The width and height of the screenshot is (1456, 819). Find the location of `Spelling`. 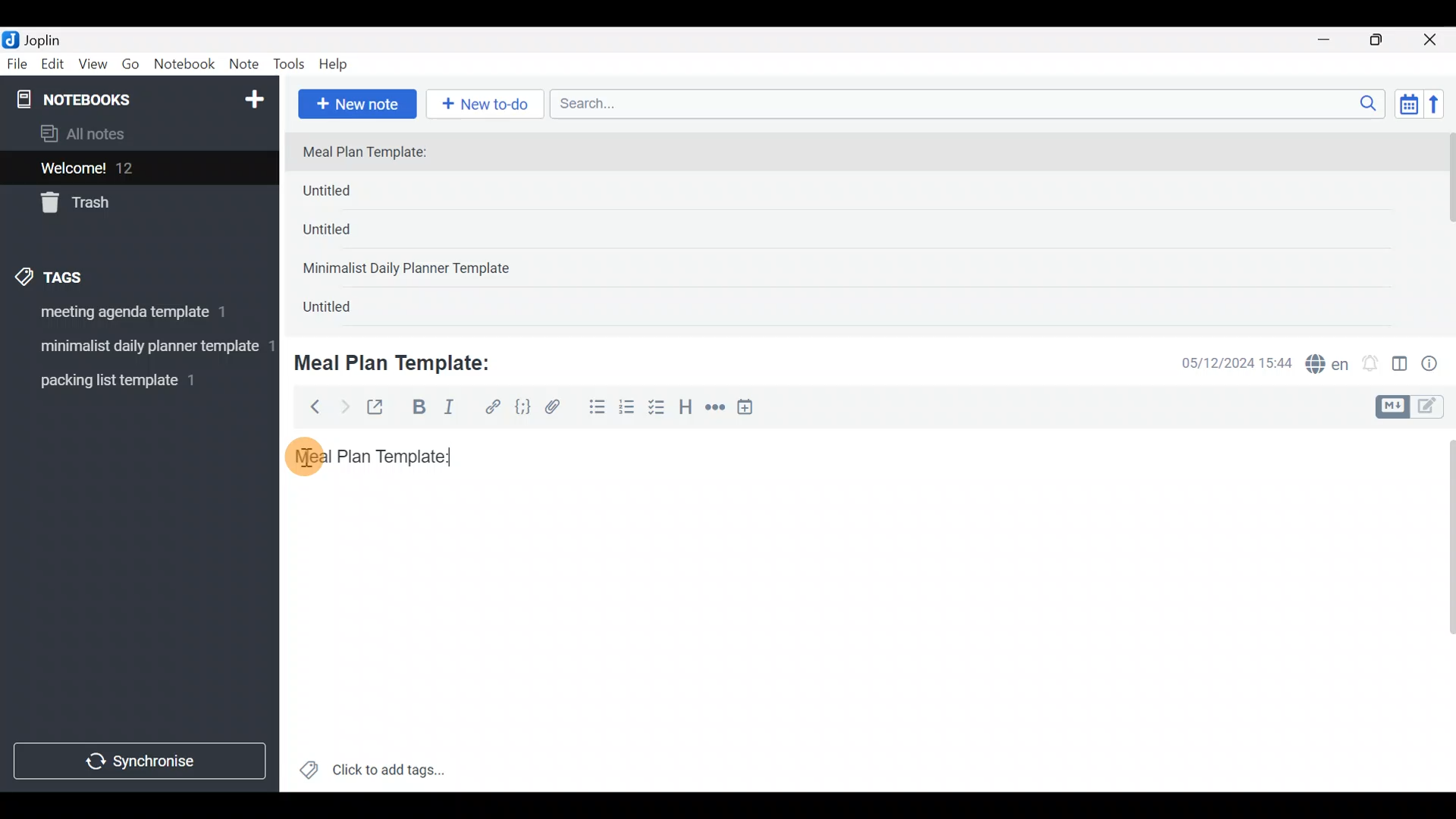

Spelling is located at coordinates (1328, 366).